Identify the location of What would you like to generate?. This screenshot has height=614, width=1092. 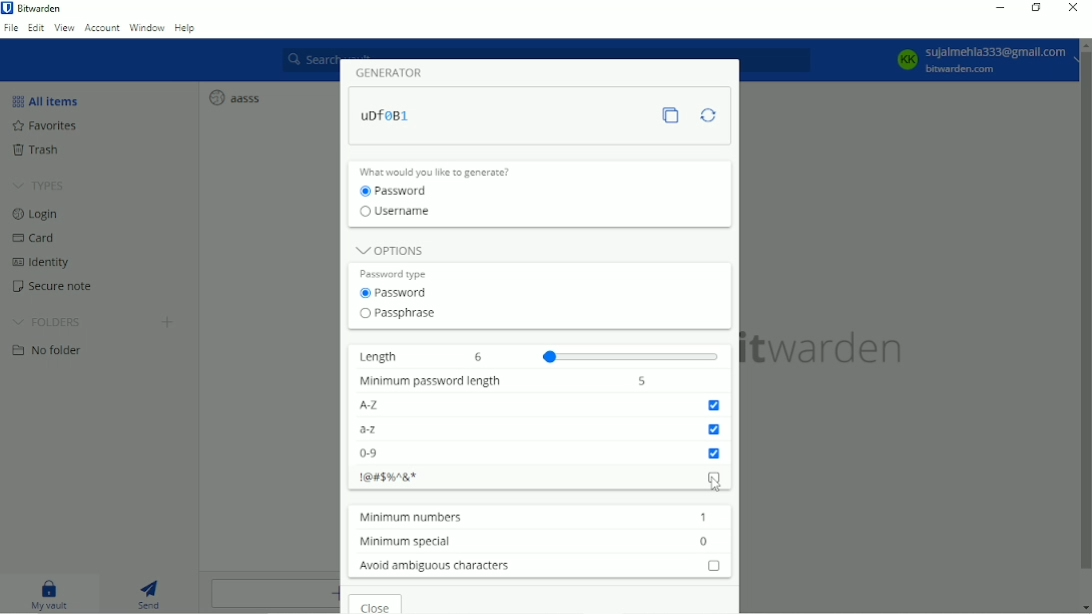
(444, 171).